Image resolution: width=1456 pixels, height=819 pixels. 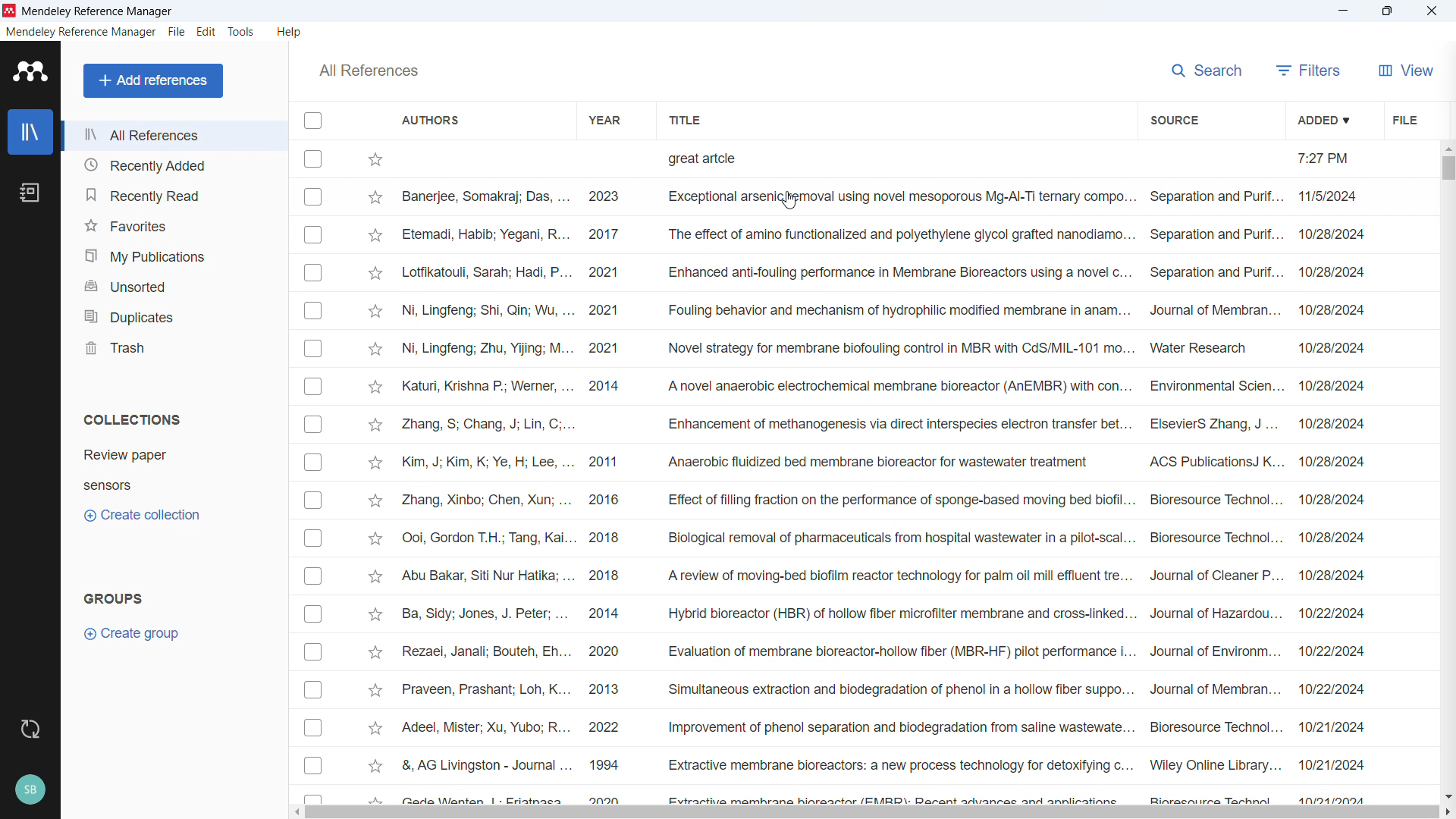 What do you see at coordinates (1386, 11) in the screenshot?
I see `Maximise ` at bounding box center [1386, 11].